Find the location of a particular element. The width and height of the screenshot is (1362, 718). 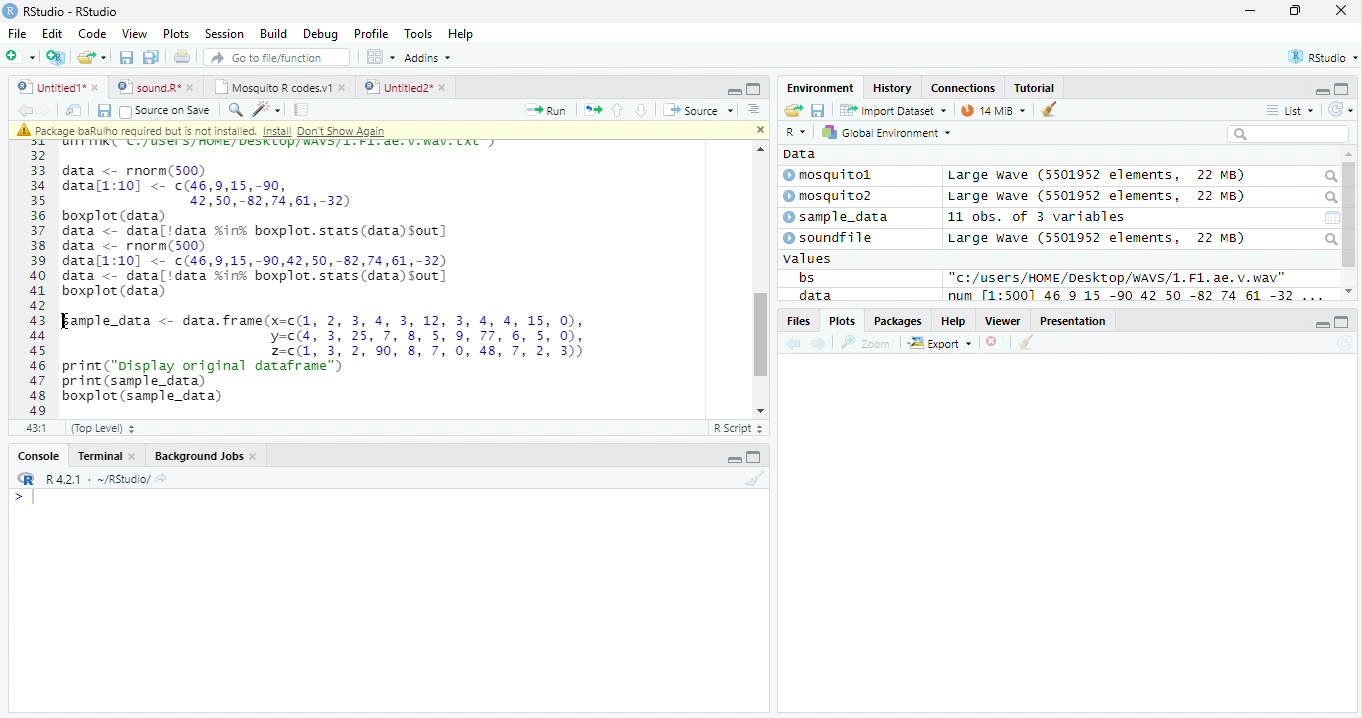

minimize is located at coordinates (732, 456).